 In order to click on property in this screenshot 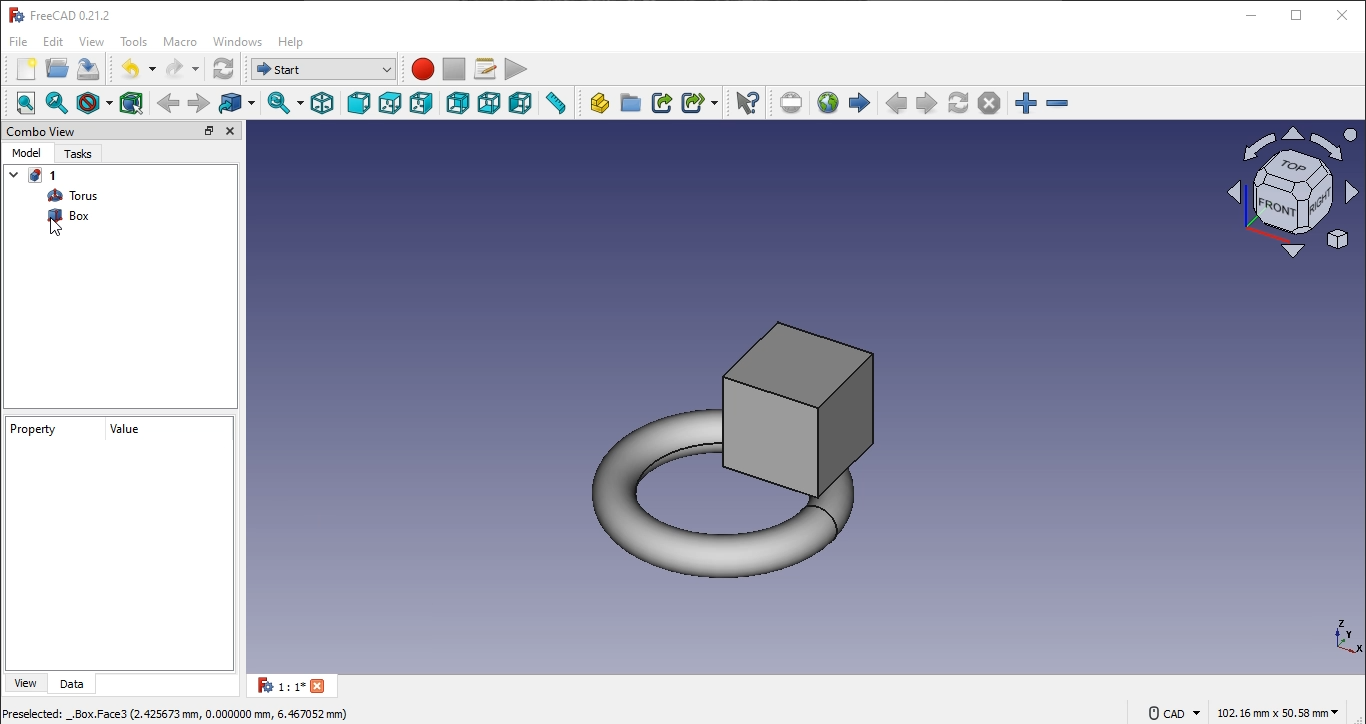, I will do `click(34, 431)`.